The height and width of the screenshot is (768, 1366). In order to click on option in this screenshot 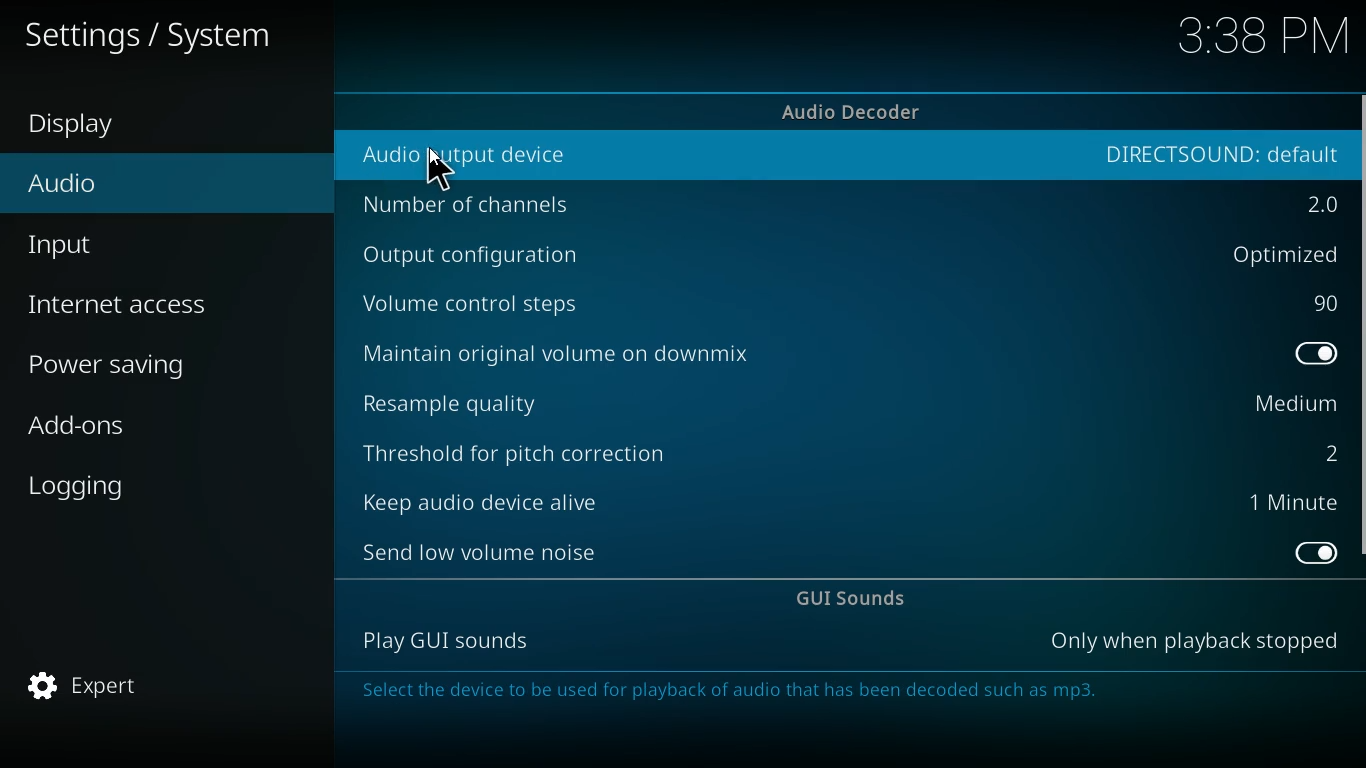, I will do `click(1290, 405)`.